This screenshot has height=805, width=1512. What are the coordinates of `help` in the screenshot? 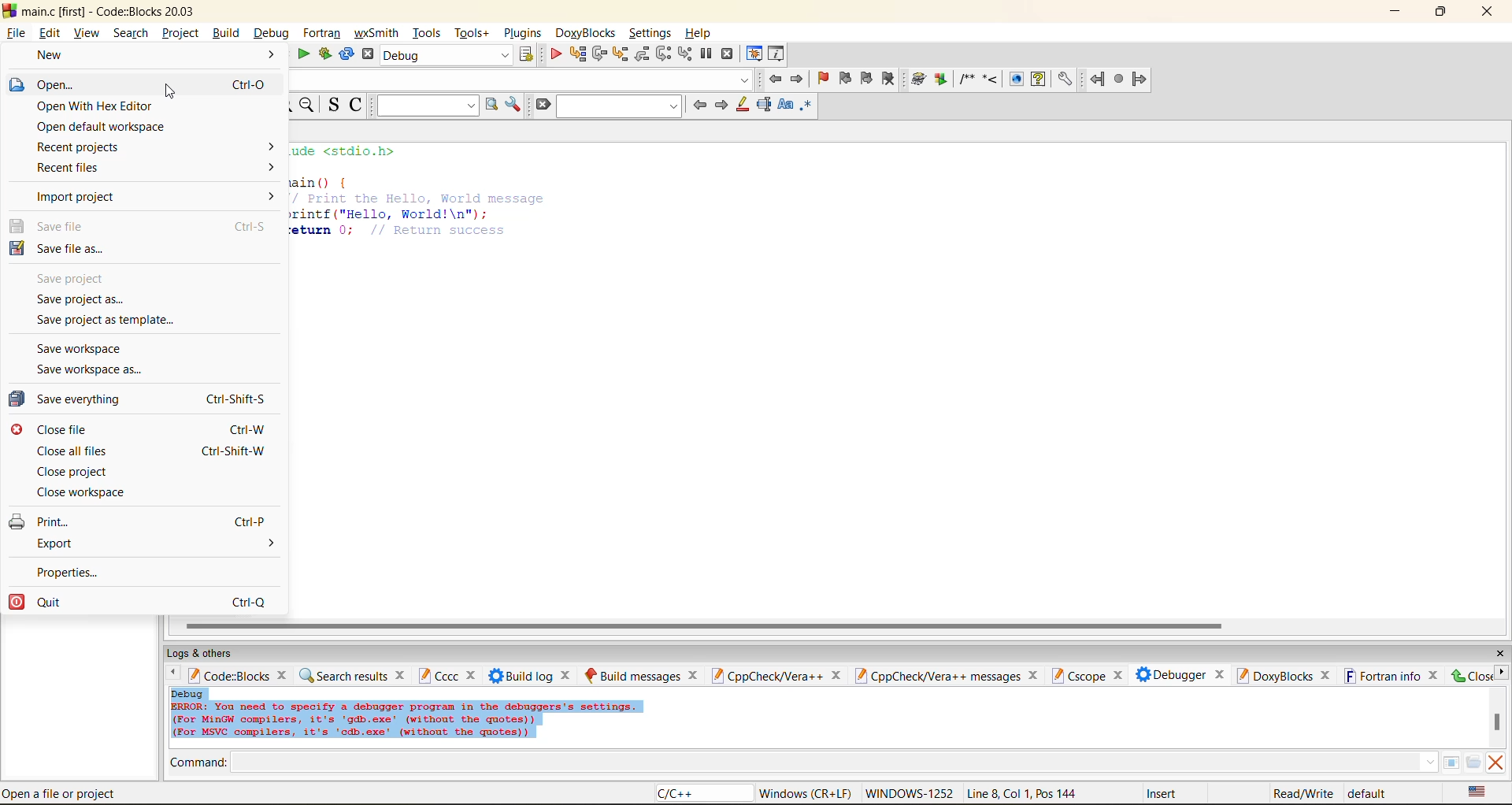 It's located at (700, 33).